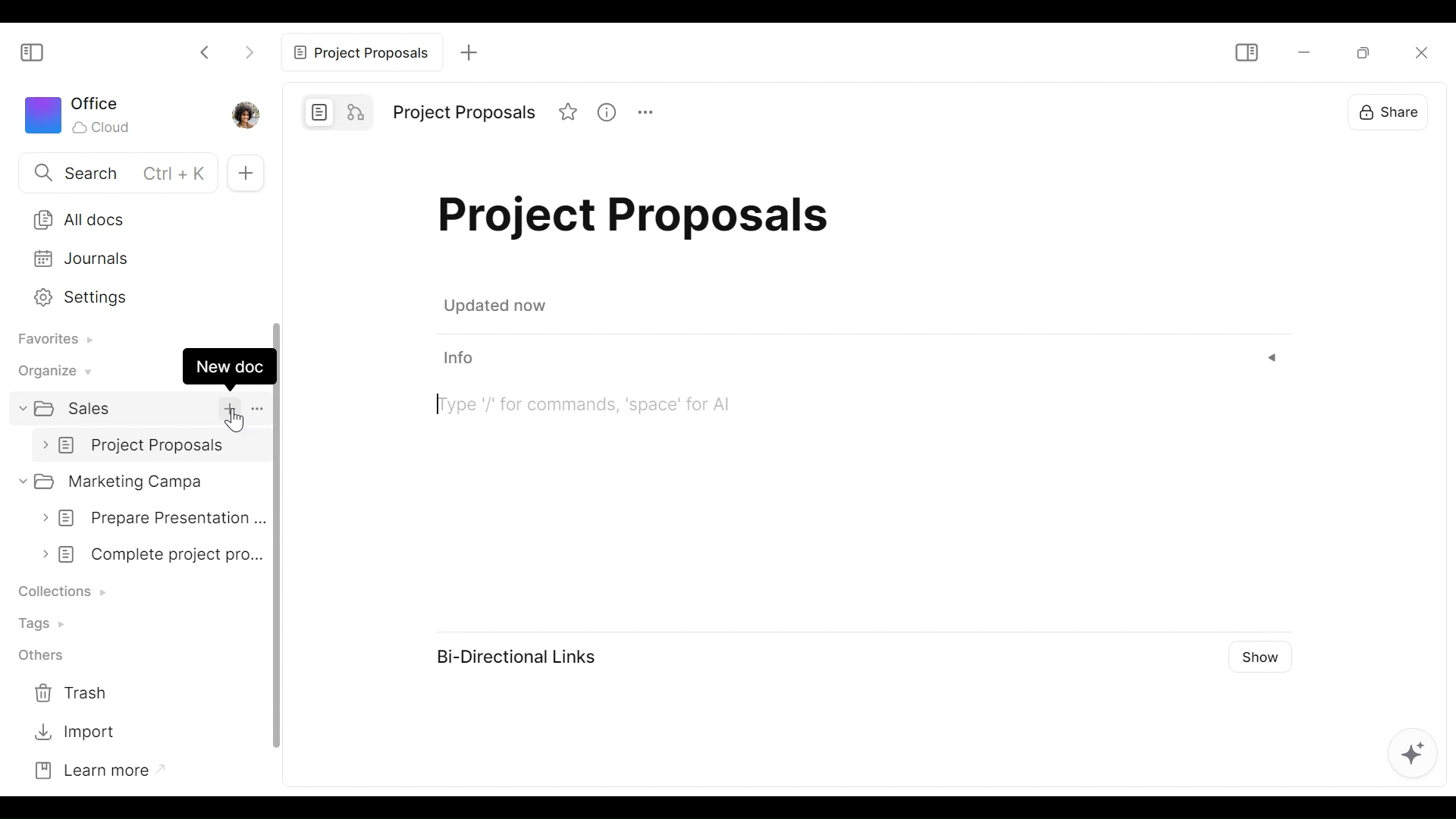  I want to click on Organize, so click(52, 370).